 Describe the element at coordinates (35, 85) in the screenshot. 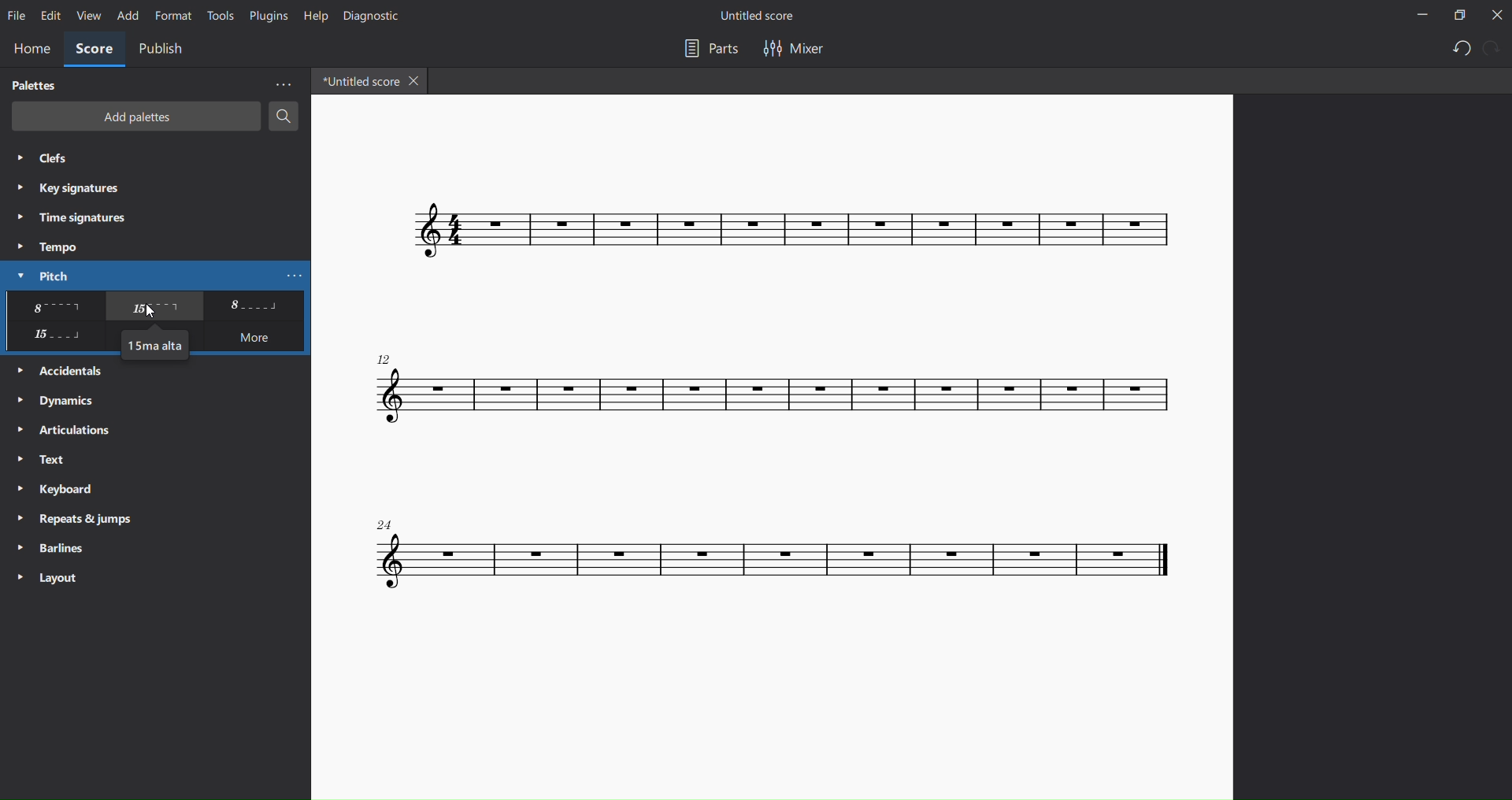

I see `palettes` at that location.